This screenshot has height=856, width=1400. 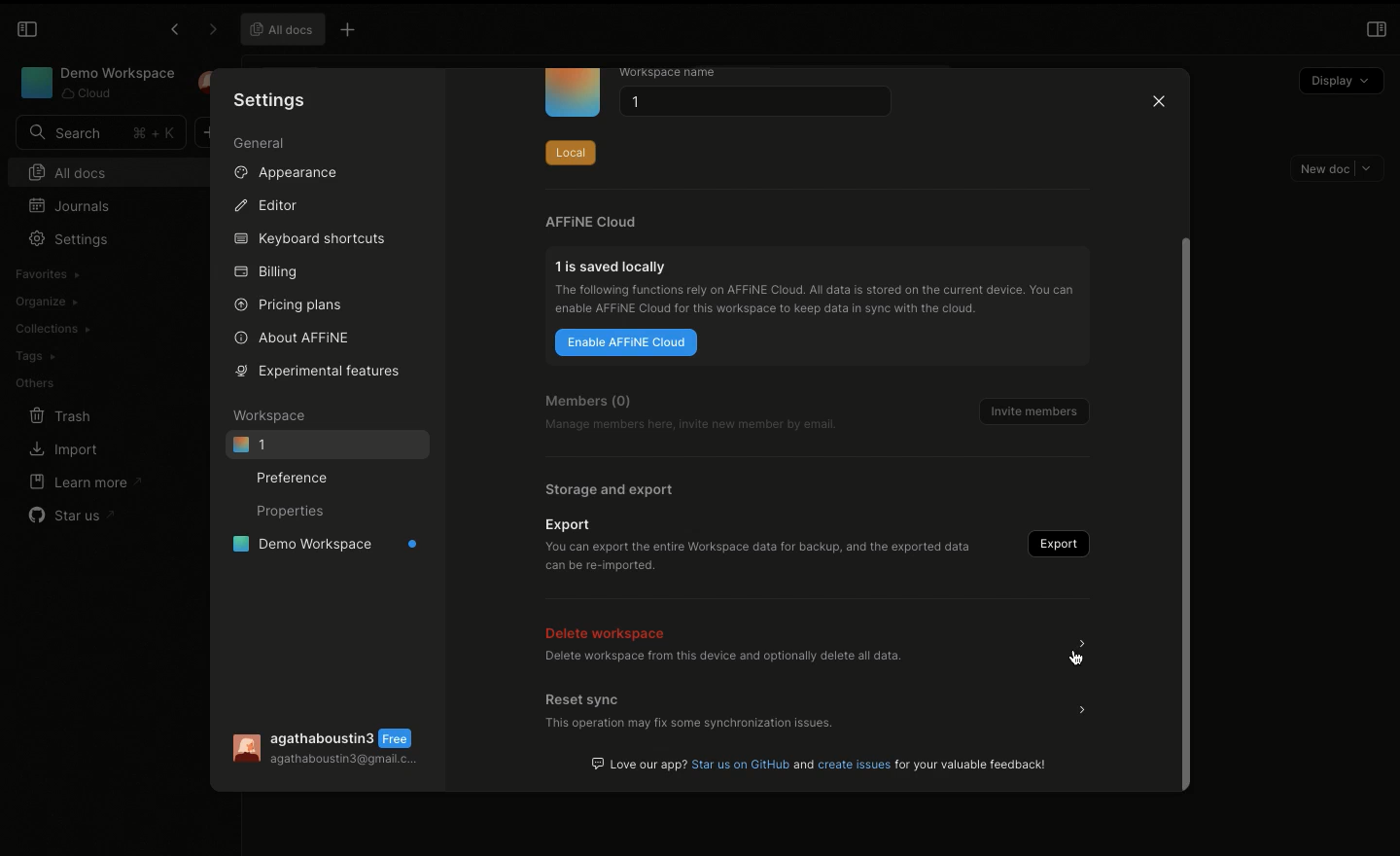 I want to click on Delete workspace, so click(x=610, y=630).